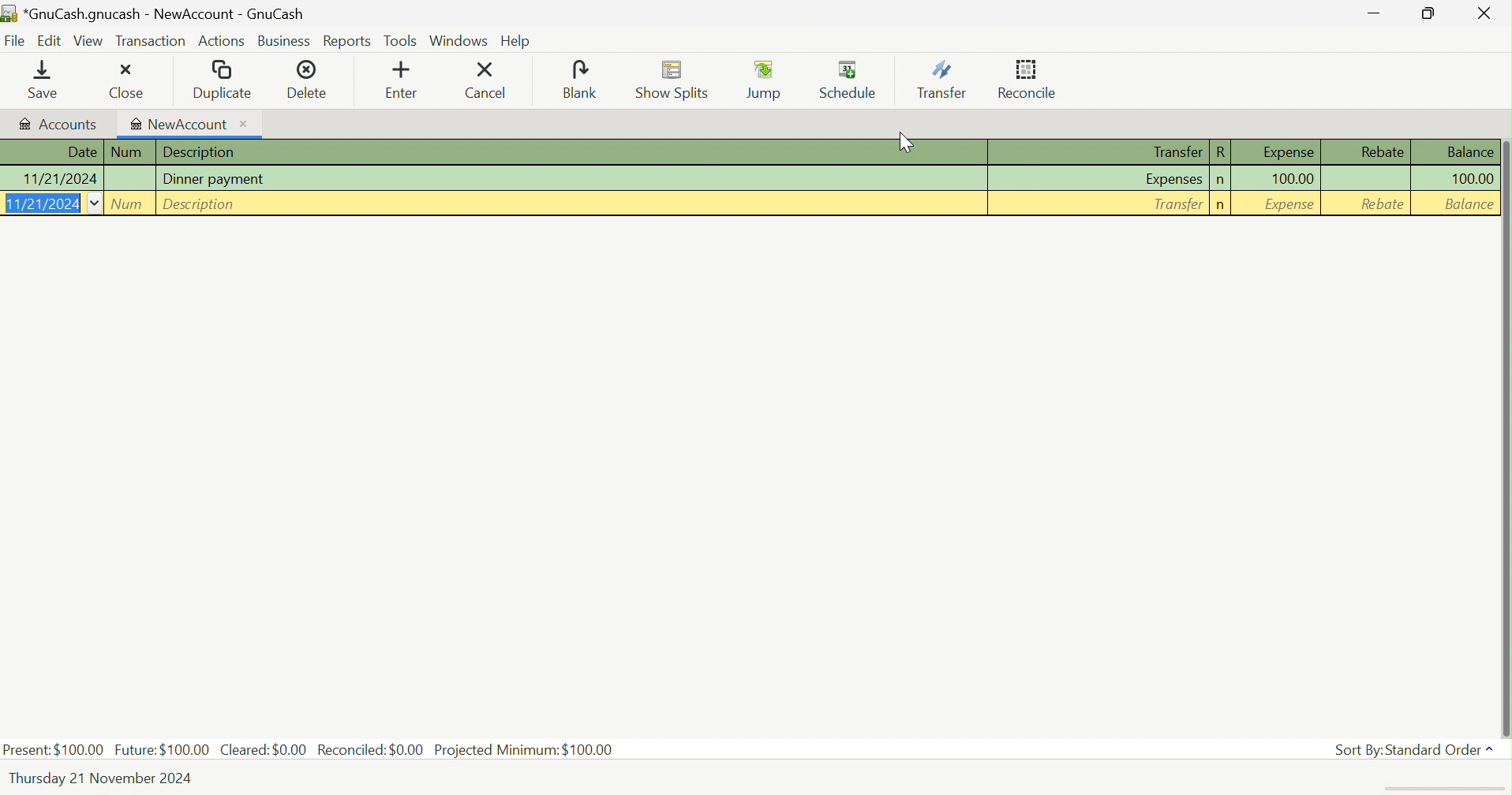  Describe the element at coordinates (1470, 152) in the screenshot. I see `Balance` at that location.